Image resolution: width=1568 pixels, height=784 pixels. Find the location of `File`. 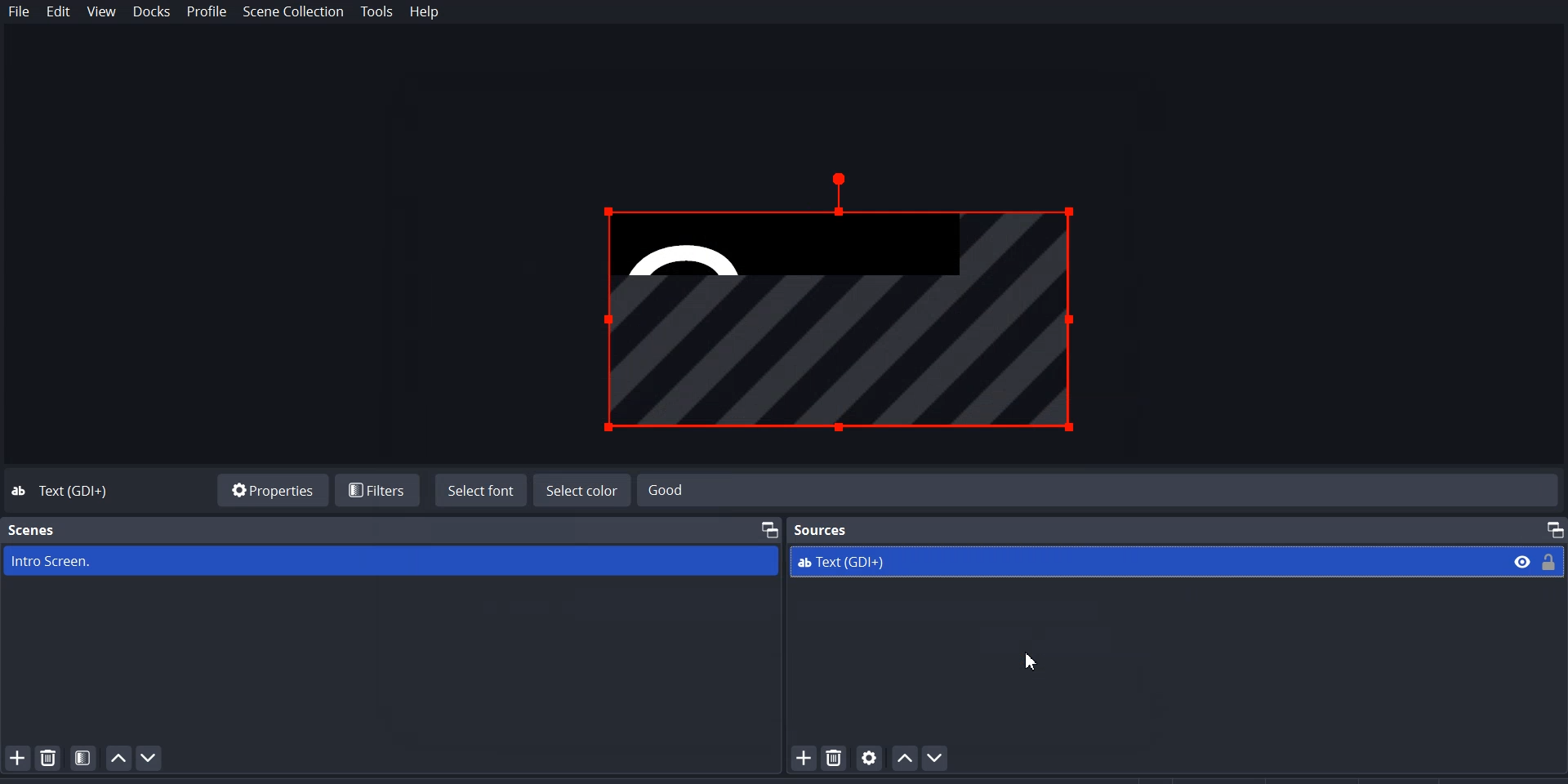

File is located at coordinates (20, 12).